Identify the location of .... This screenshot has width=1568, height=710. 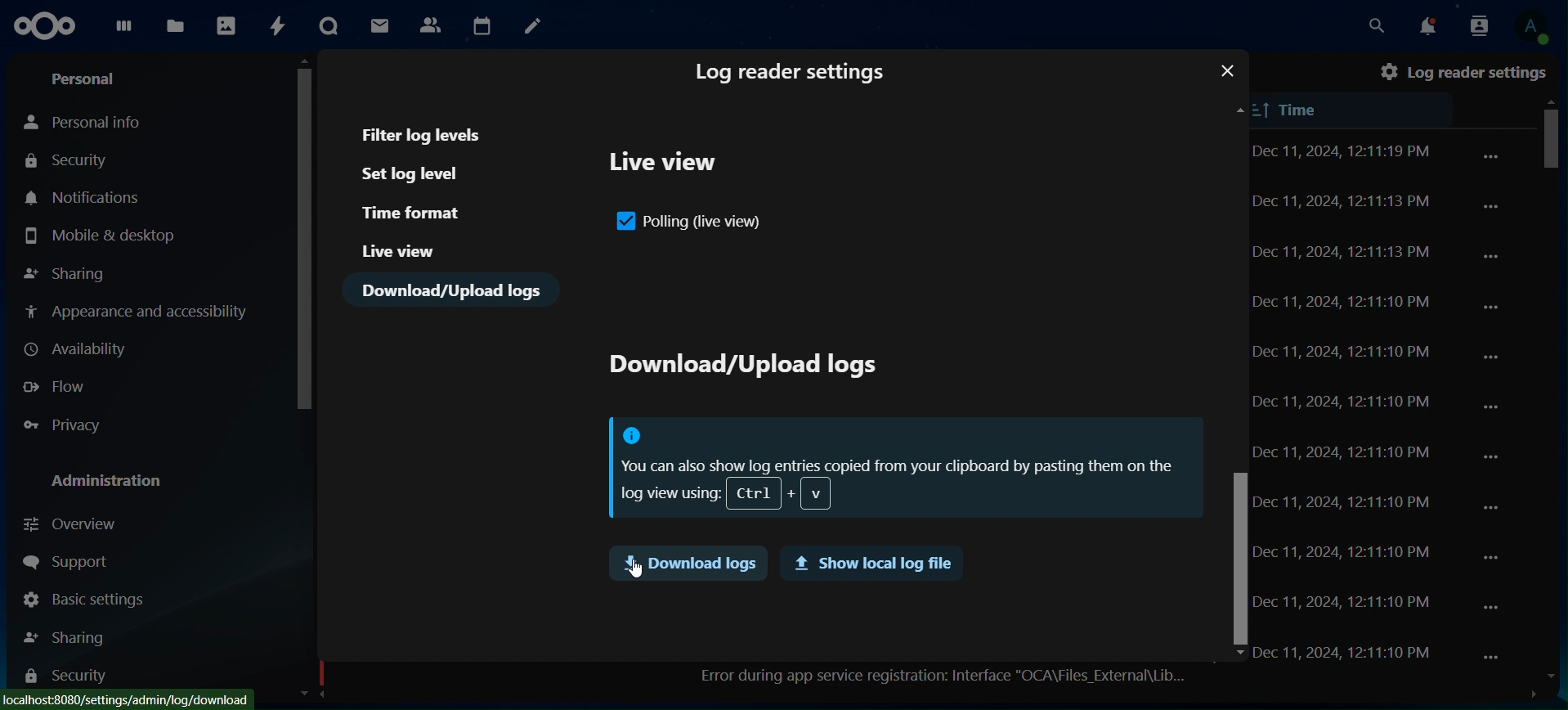
(1494, 456).